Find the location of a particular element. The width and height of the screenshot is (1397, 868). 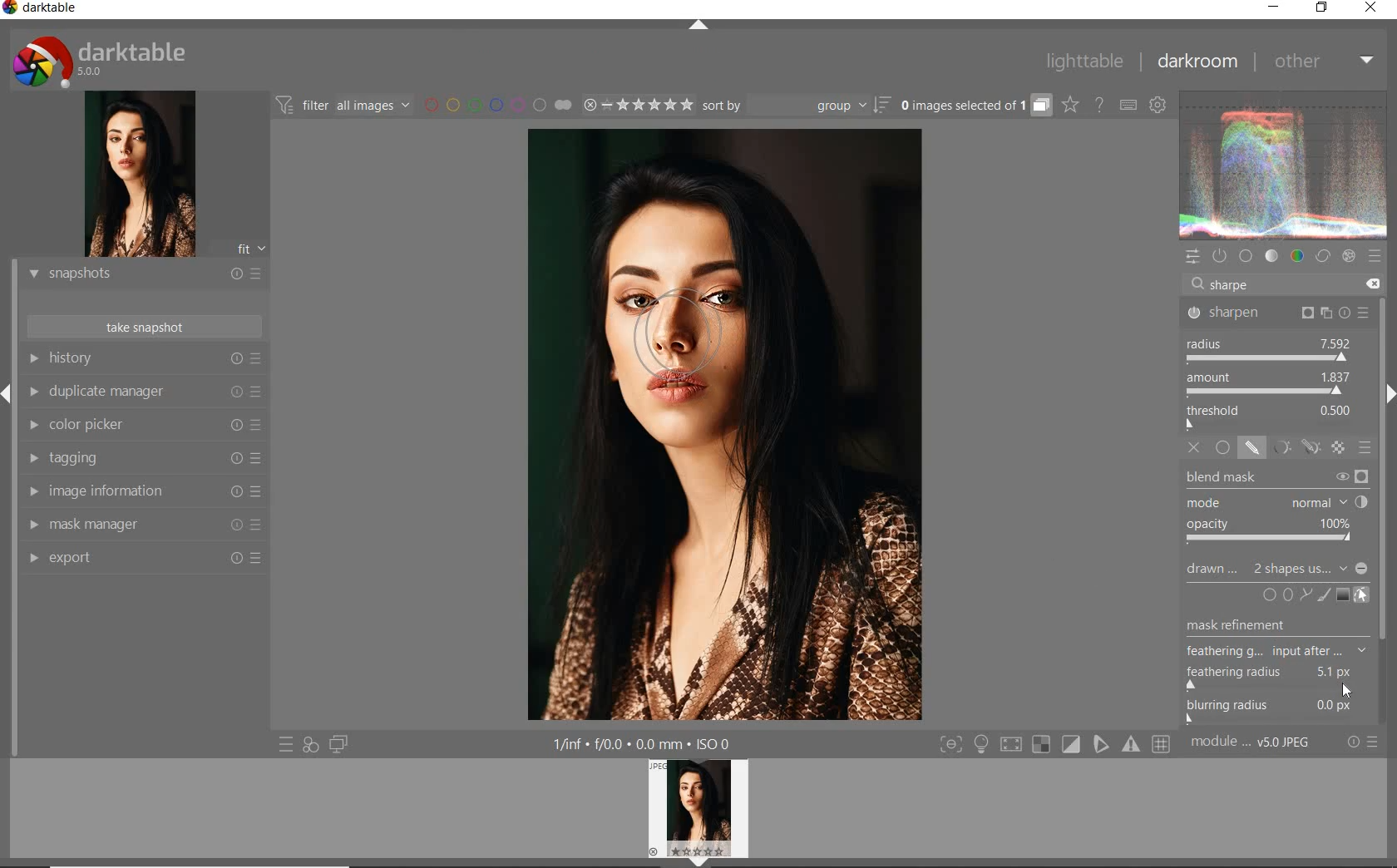

sign  is located at coordinates (1165, 746).